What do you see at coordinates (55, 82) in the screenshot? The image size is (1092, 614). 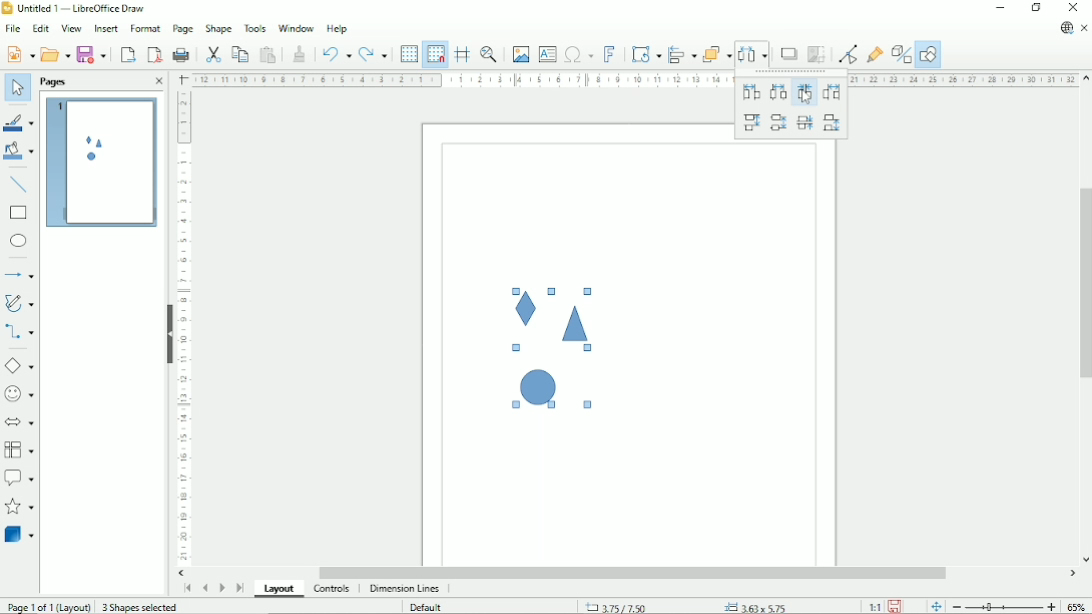 I see `Pages` at bounding box center [55, 82].